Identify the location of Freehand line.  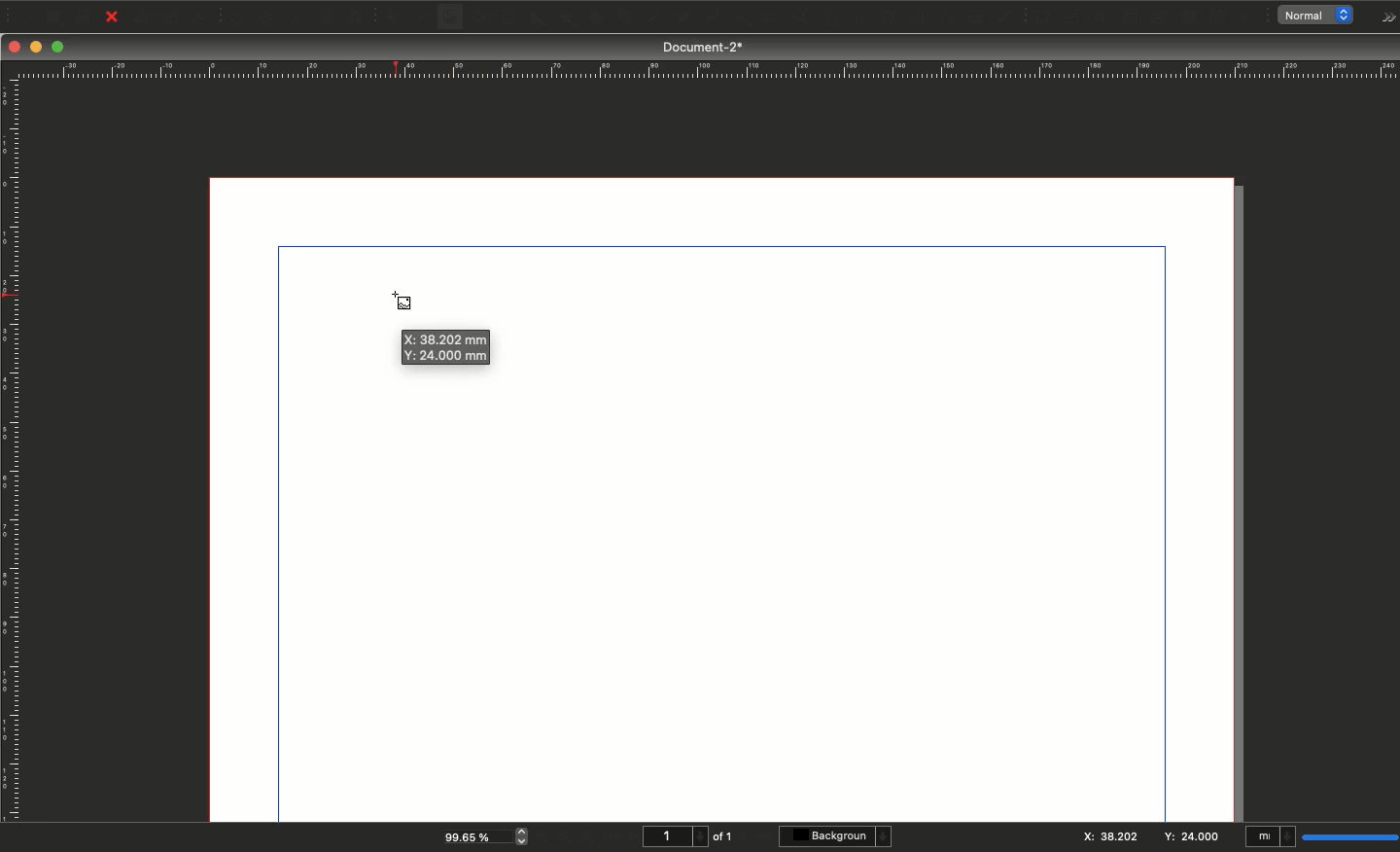
(708, 18).